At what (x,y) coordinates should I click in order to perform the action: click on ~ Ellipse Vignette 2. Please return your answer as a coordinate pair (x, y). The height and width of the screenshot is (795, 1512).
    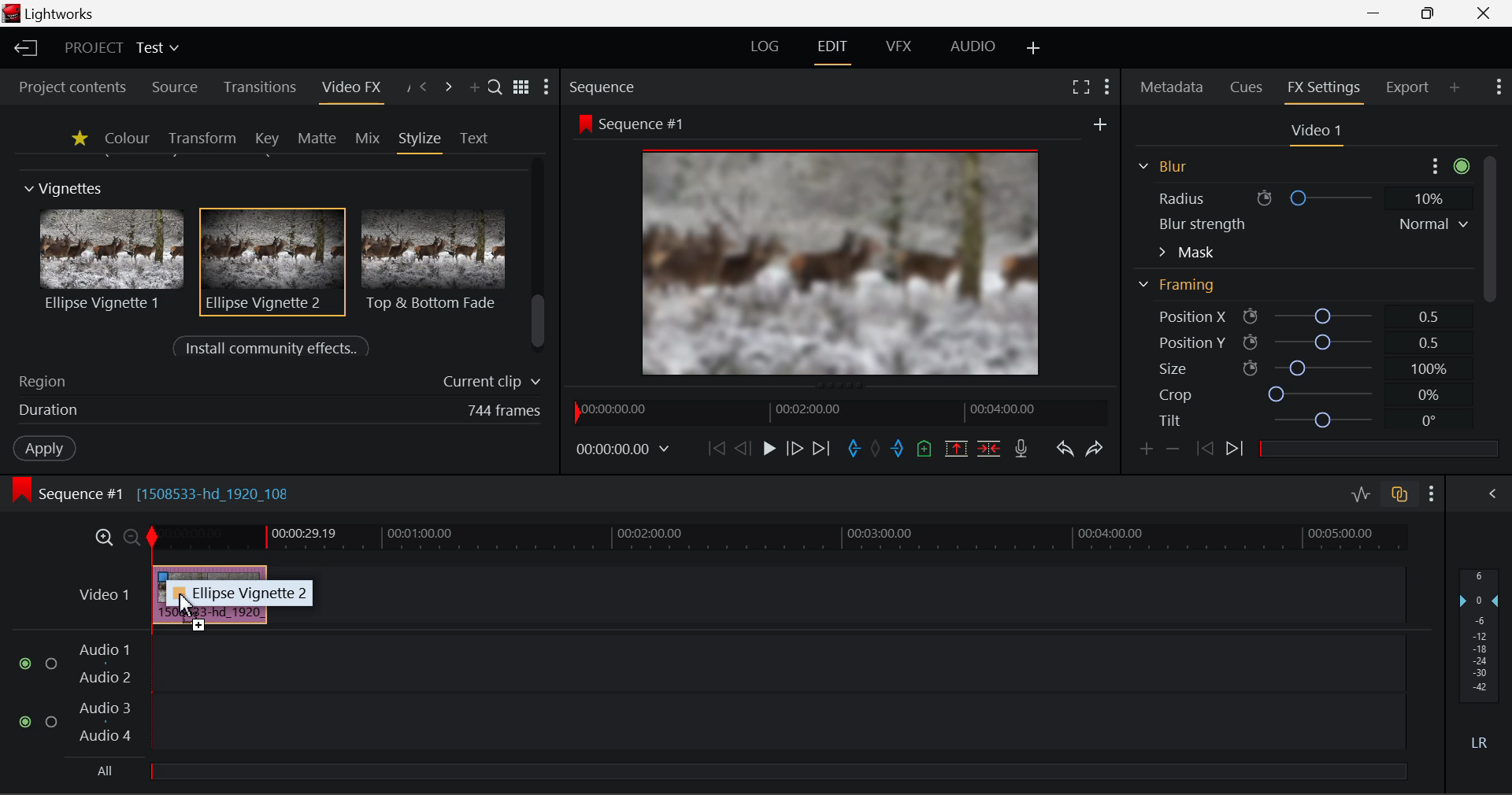
    Looking at the image, I should click on (241, 593).